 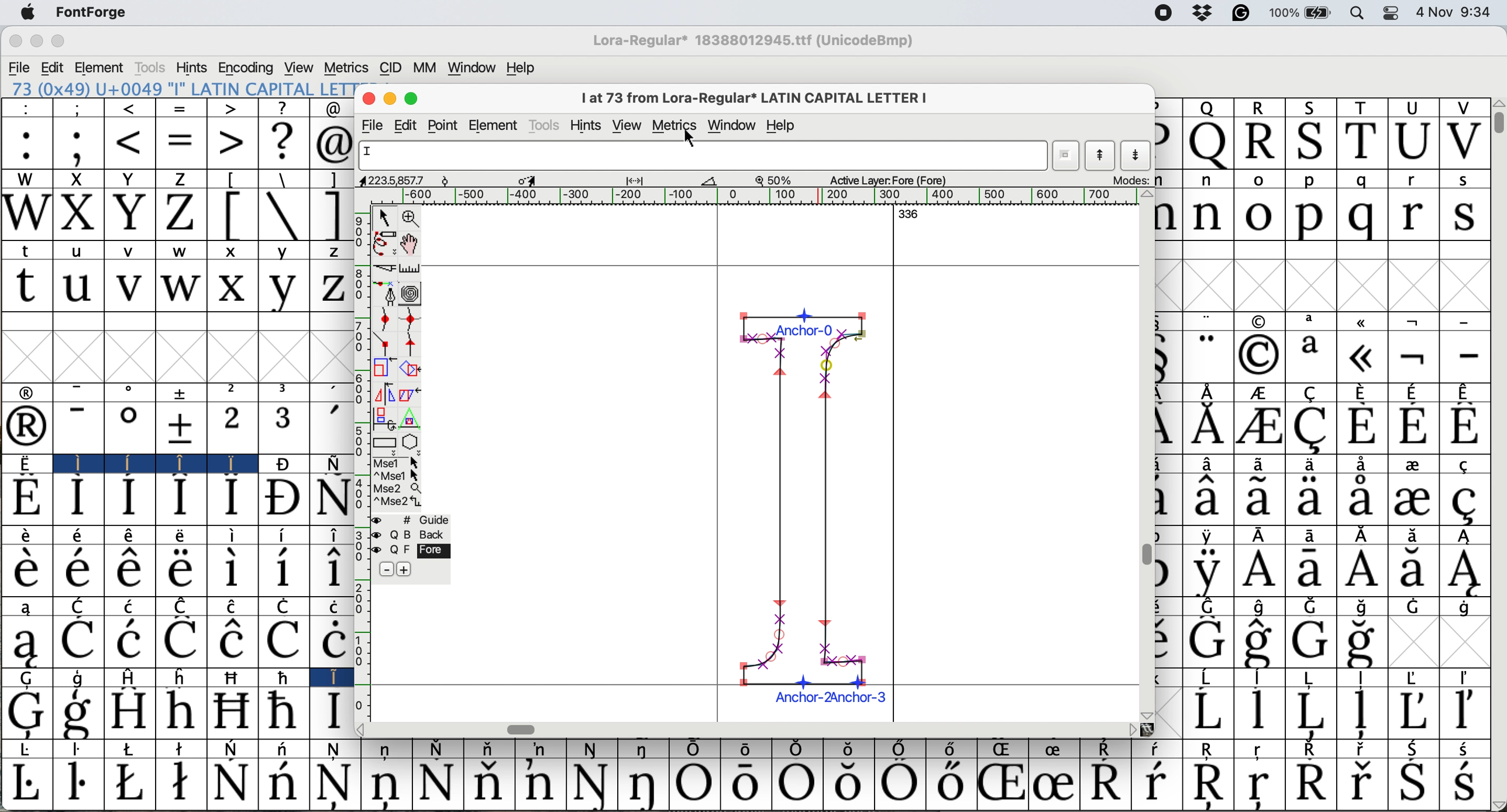 I want to click on change whether spiro is active or not, so click(x=412, y=293).